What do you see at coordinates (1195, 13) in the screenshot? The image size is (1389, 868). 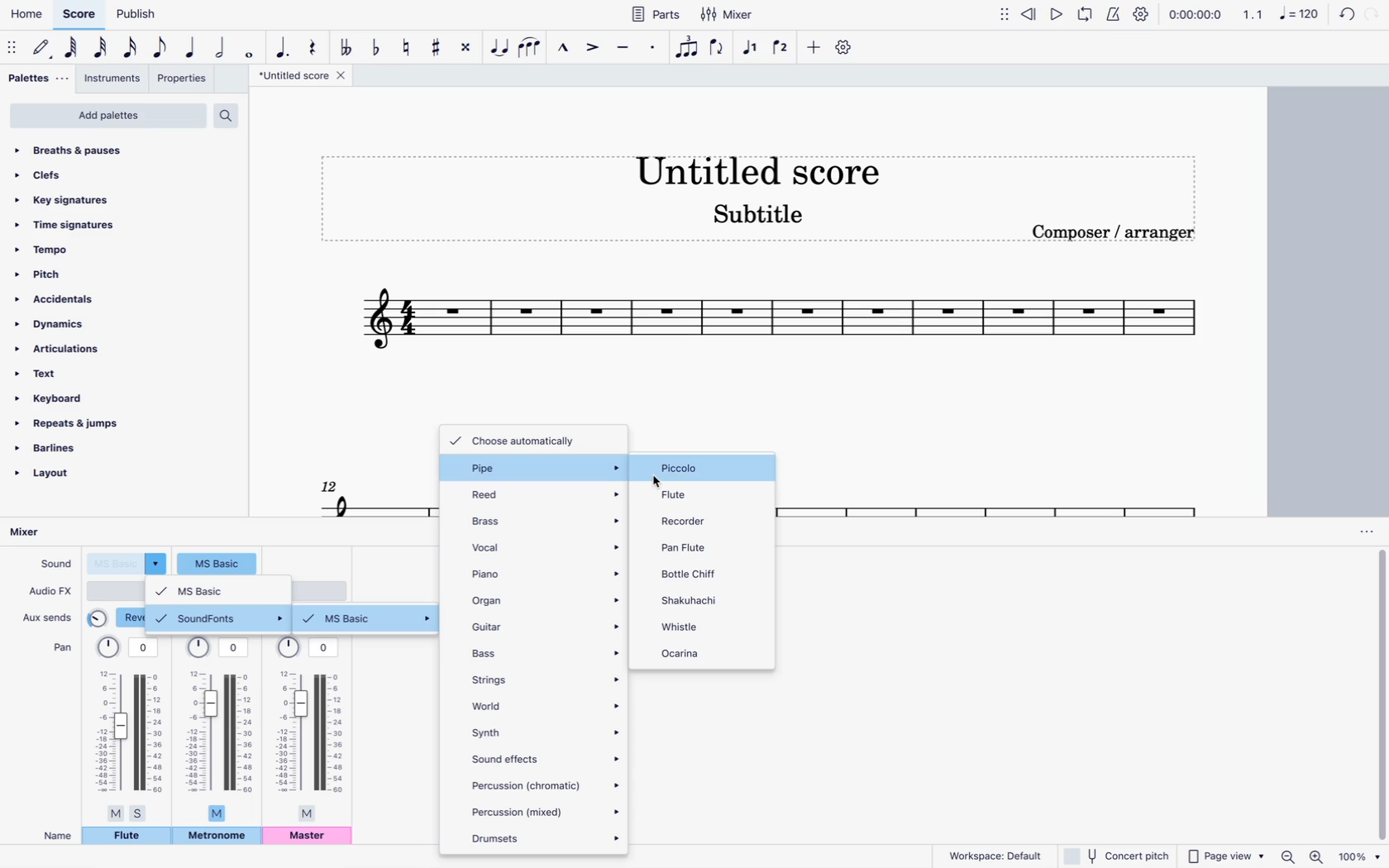 I see `time` at bounding box center [1195, 13].